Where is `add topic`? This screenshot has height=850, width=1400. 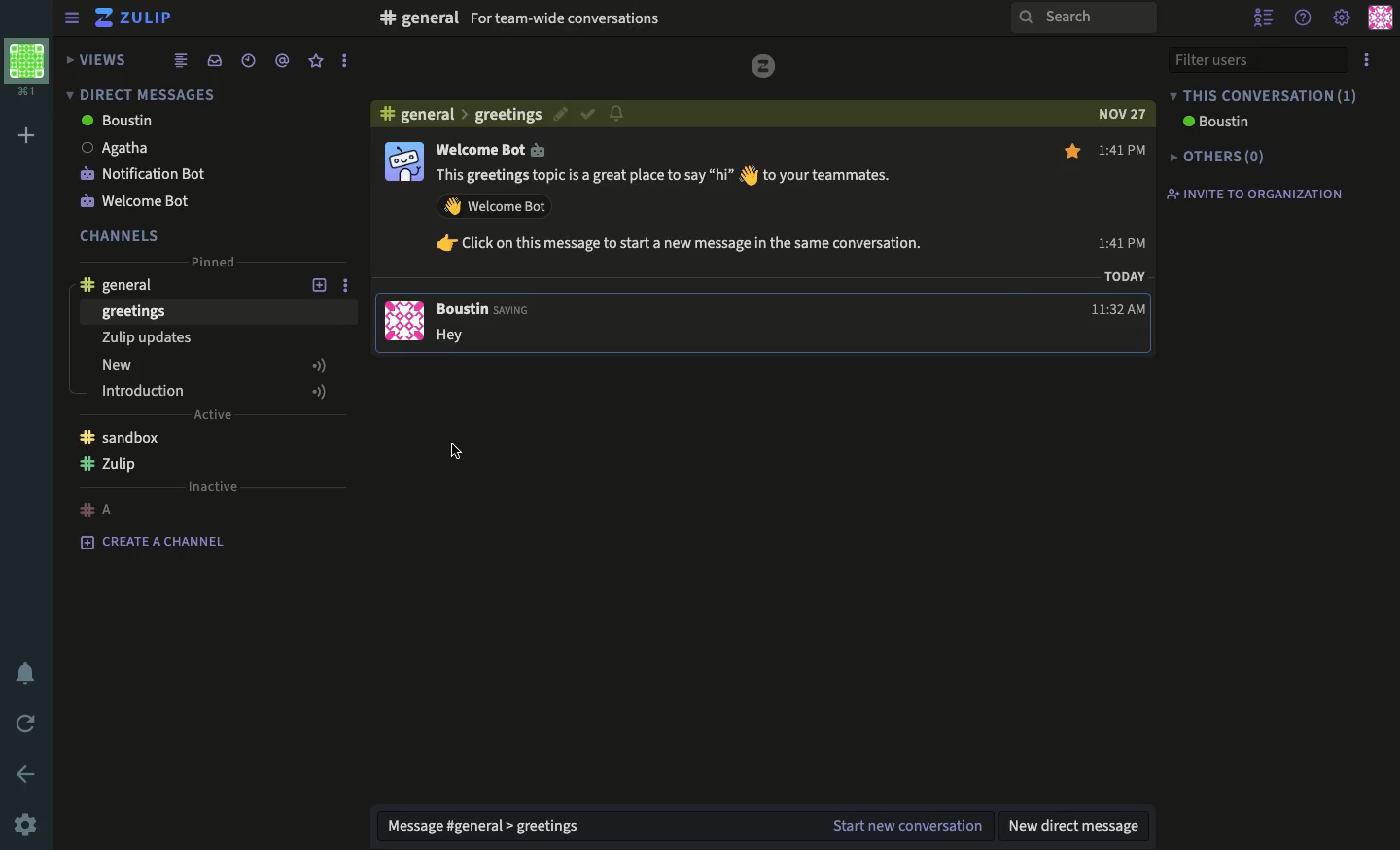 add topic is located at coordinates (308, 283).